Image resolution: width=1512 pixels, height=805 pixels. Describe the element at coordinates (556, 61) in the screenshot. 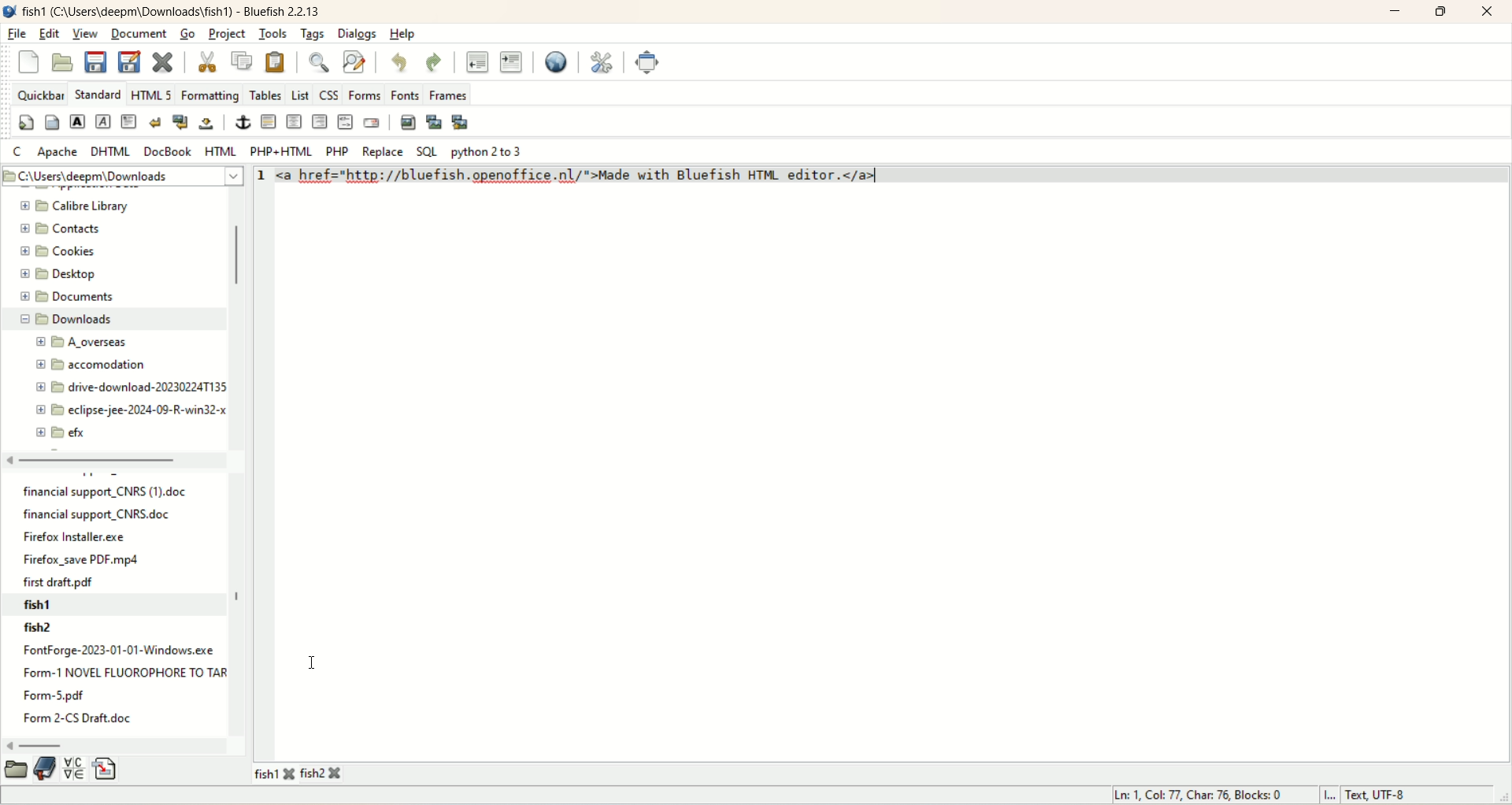

I see `preview in browse` at that location.